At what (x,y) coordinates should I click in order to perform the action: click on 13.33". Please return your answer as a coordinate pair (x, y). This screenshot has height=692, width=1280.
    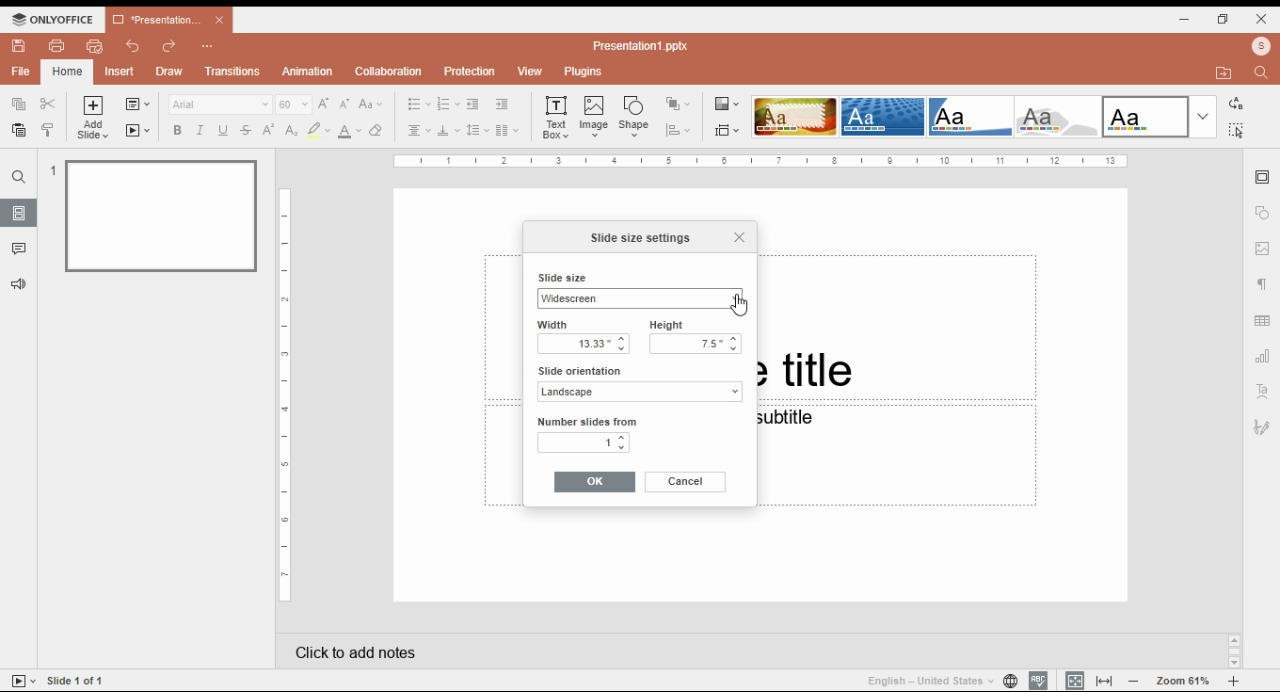
    Looking at the image, I should click on (582, 344).